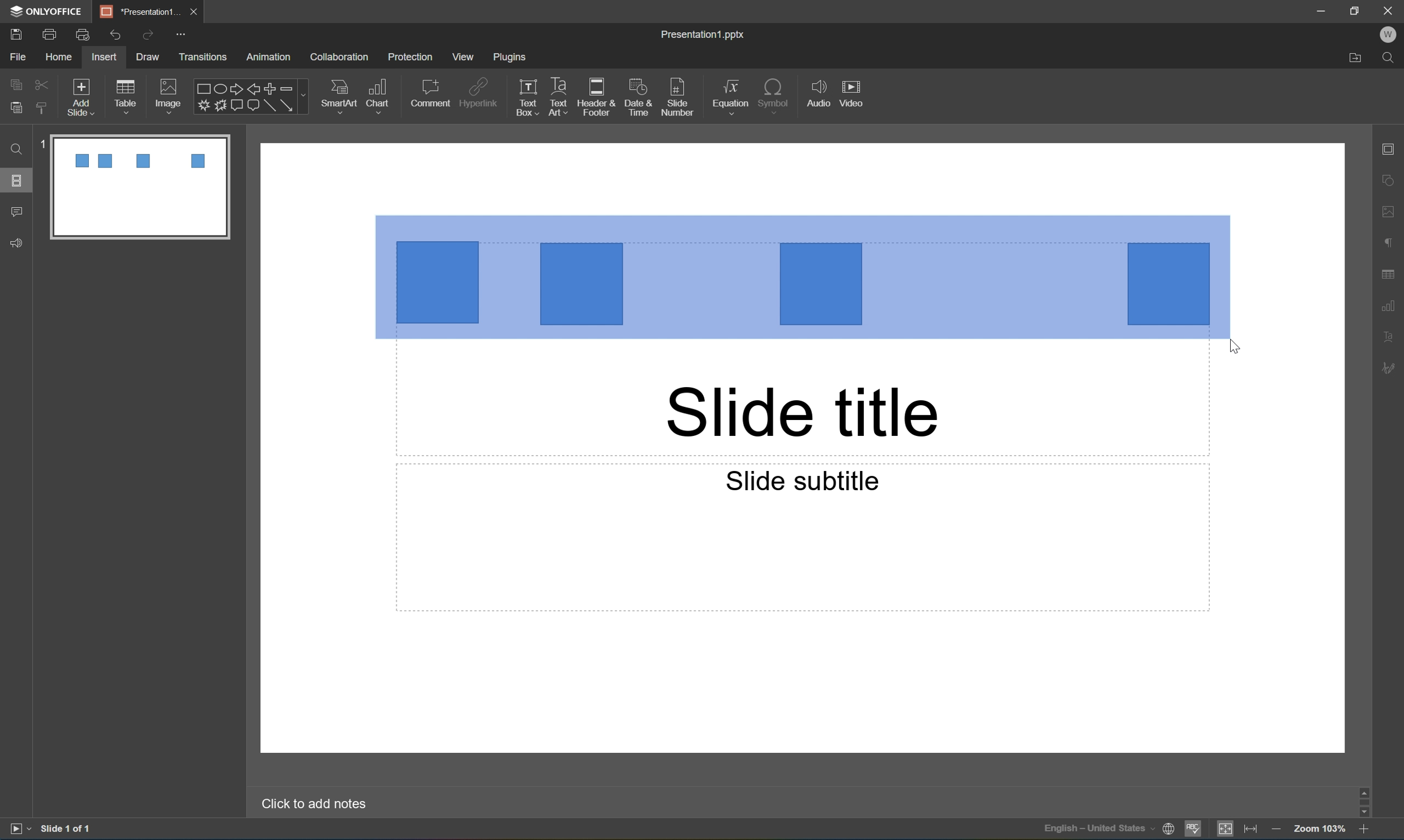 This screenshot has width=1404, height=840. Describe the element at coordinates (729, 95) in the screenshot. I see `equation` at that location.